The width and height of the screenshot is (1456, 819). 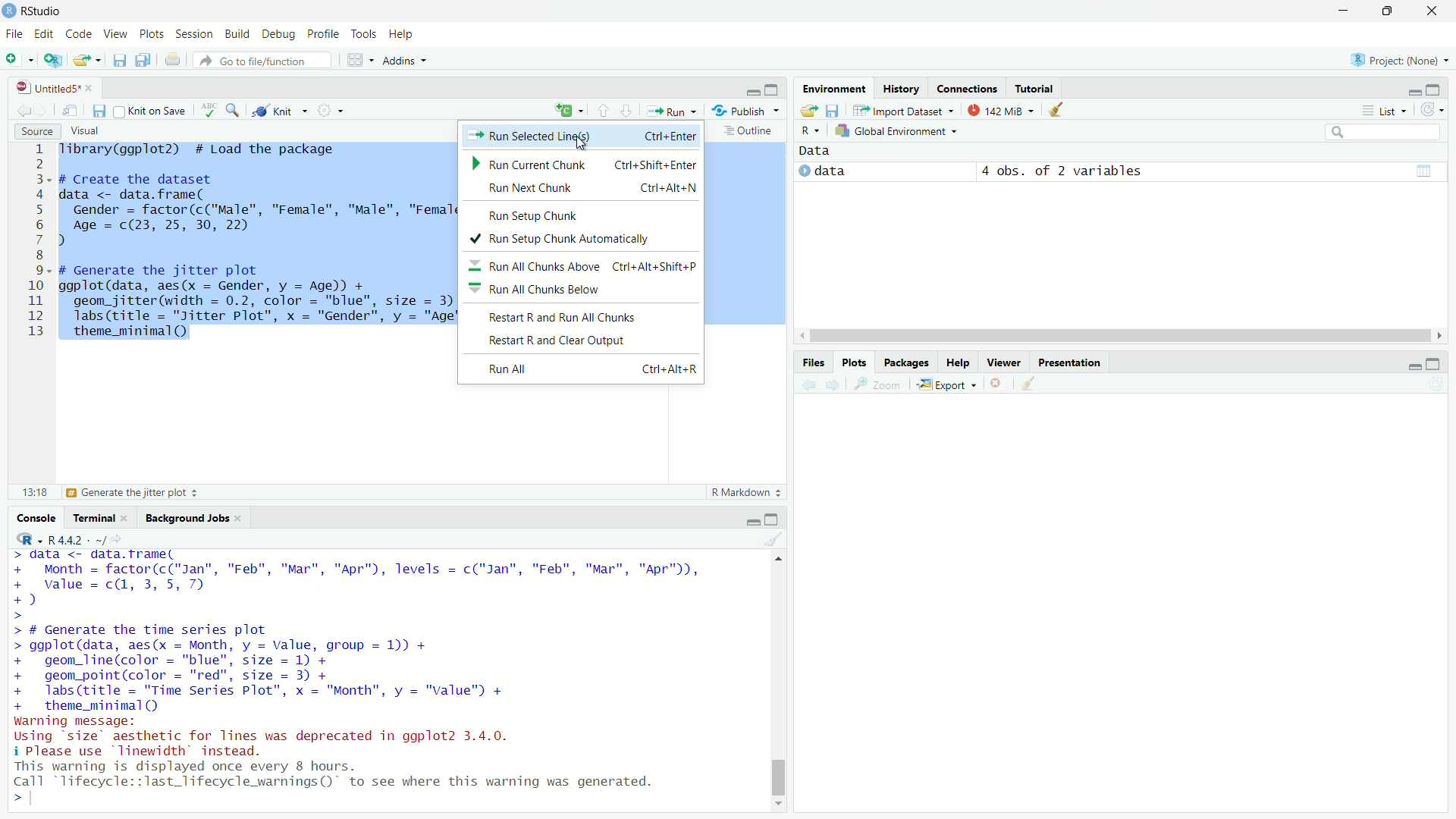 I want to click on close, so click(x=1436, y=11).